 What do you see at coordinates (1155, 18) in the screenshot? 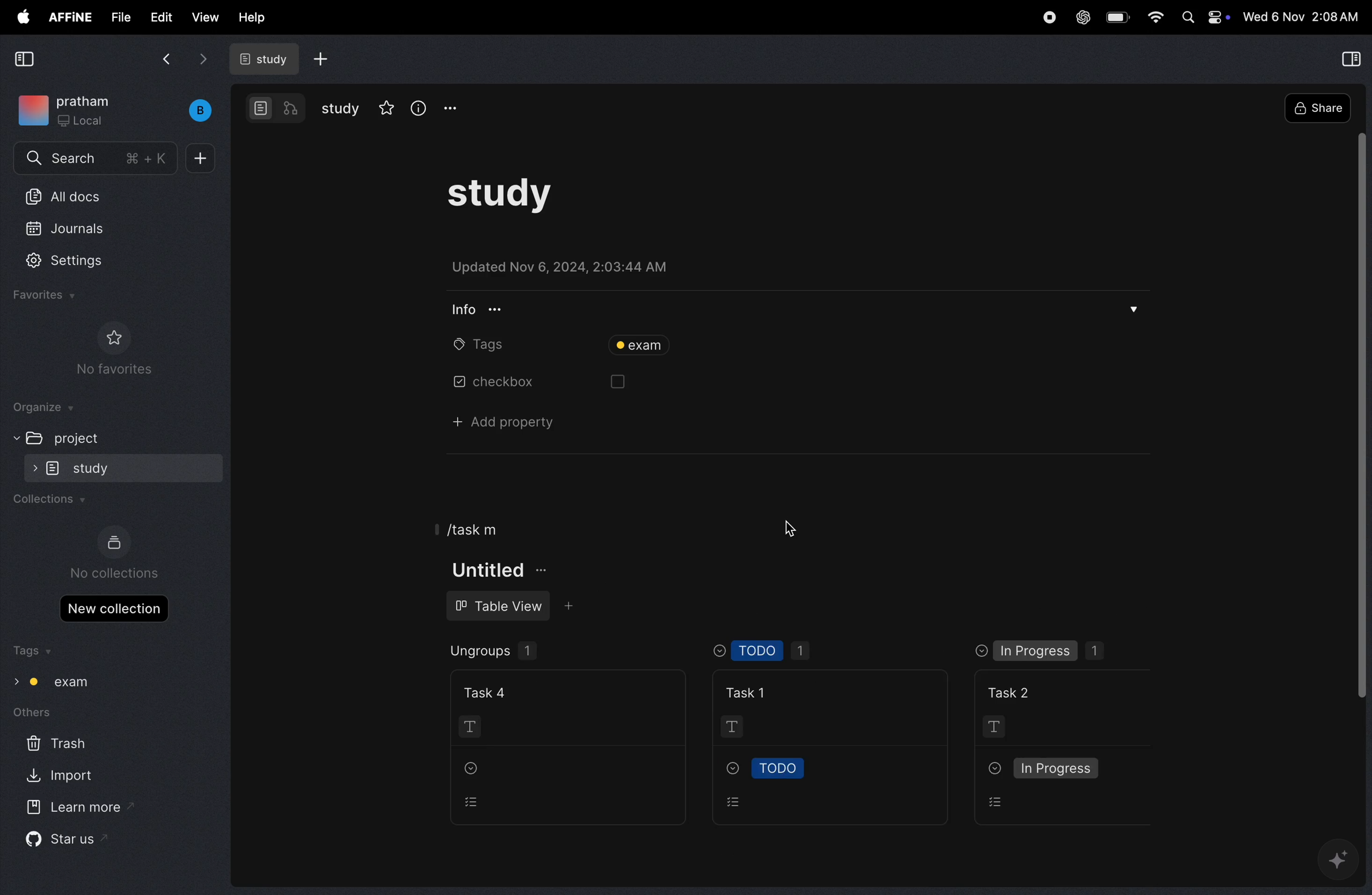
I see `wifi` at bounding box center [1155, 18].